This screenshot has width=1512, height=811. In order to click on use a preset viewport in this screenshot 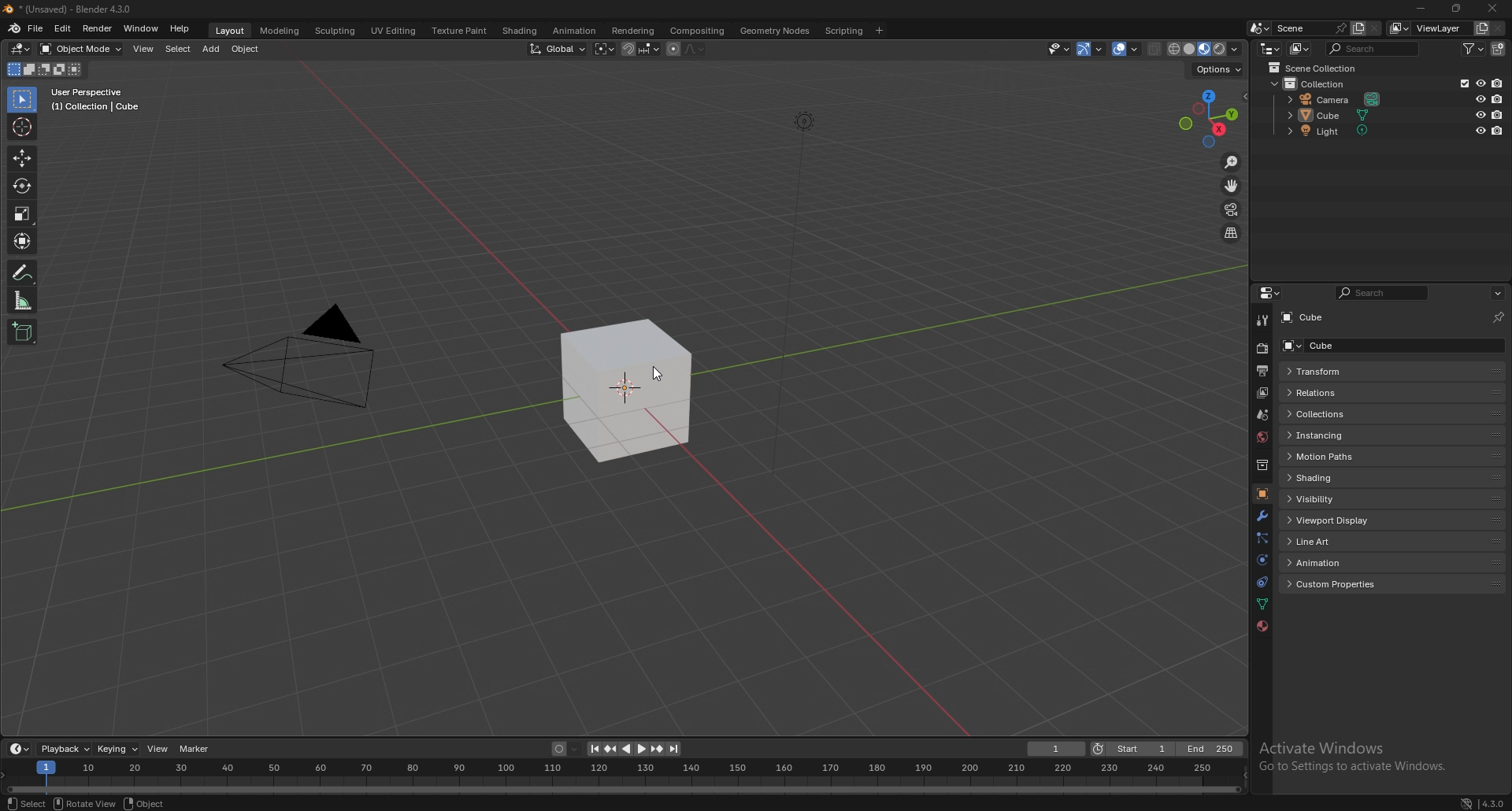, I will do `click(1210, 119)`.